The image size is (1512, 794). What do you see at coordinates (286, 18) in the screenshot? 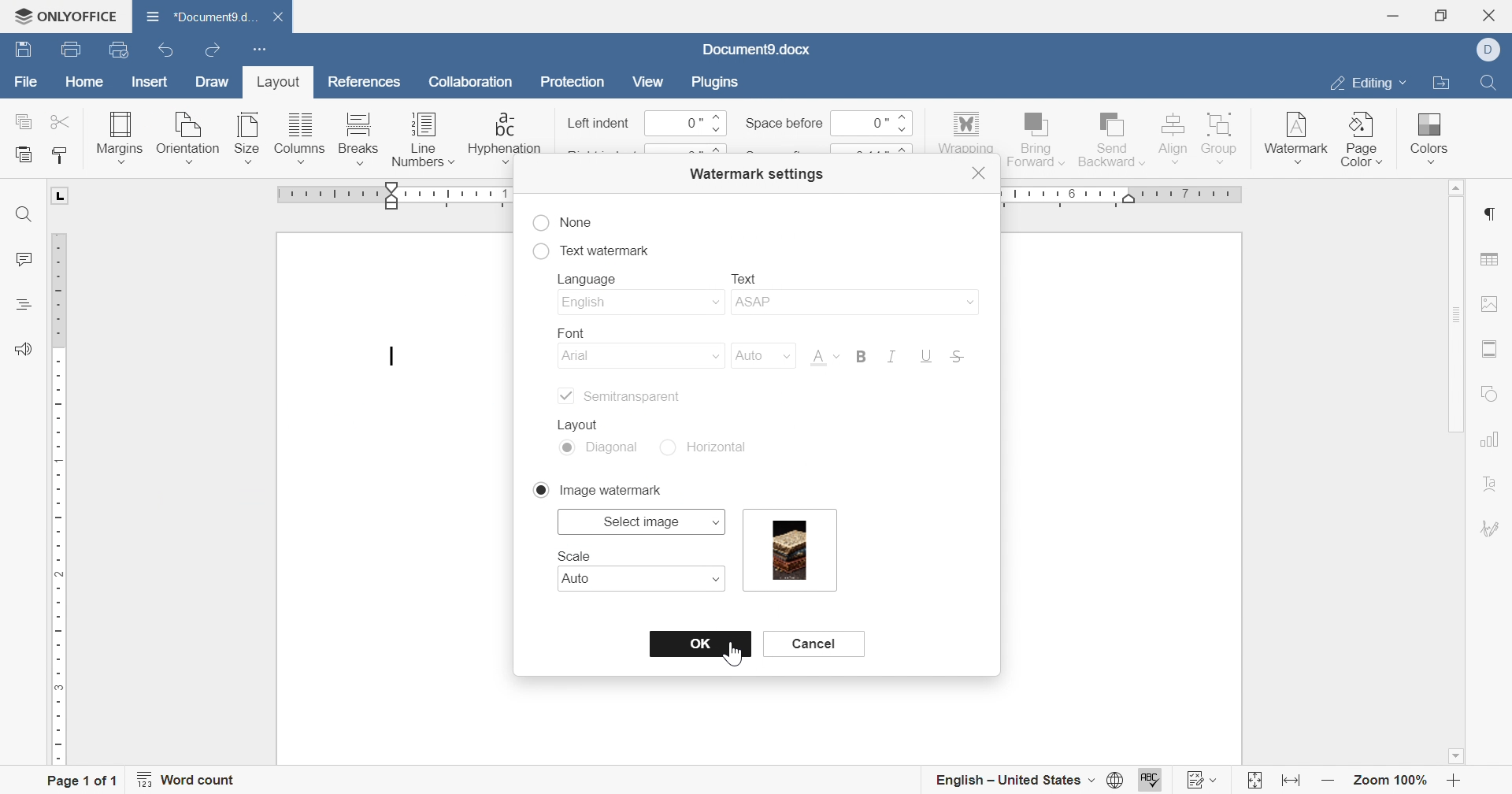
I see `close` at bounding box center [286, 18].